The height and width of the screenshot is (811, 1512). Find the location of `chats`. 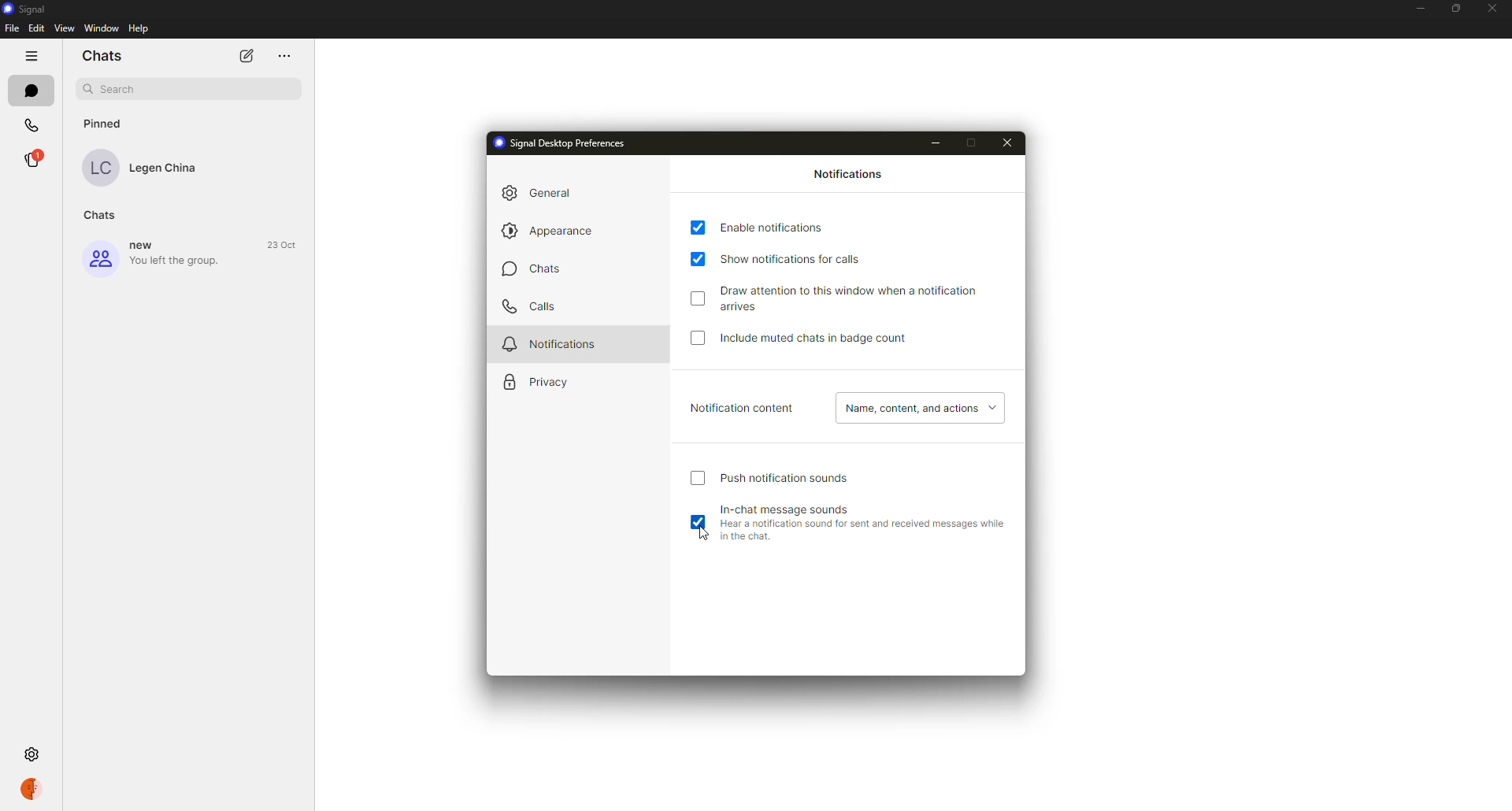

chats is located at coordinates (548, 268).